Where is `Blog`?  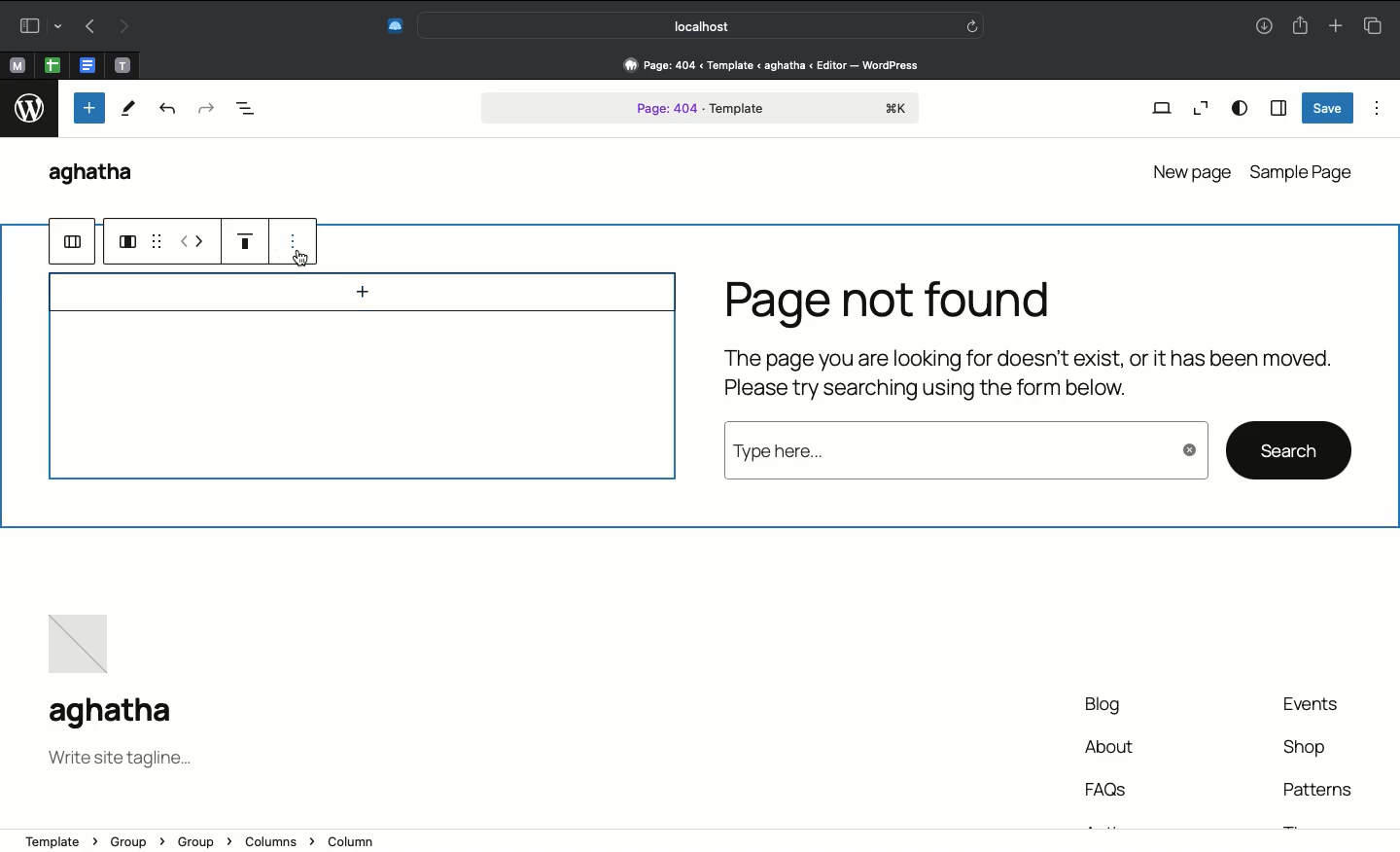 Blog is located at coordinates (1109, 708).